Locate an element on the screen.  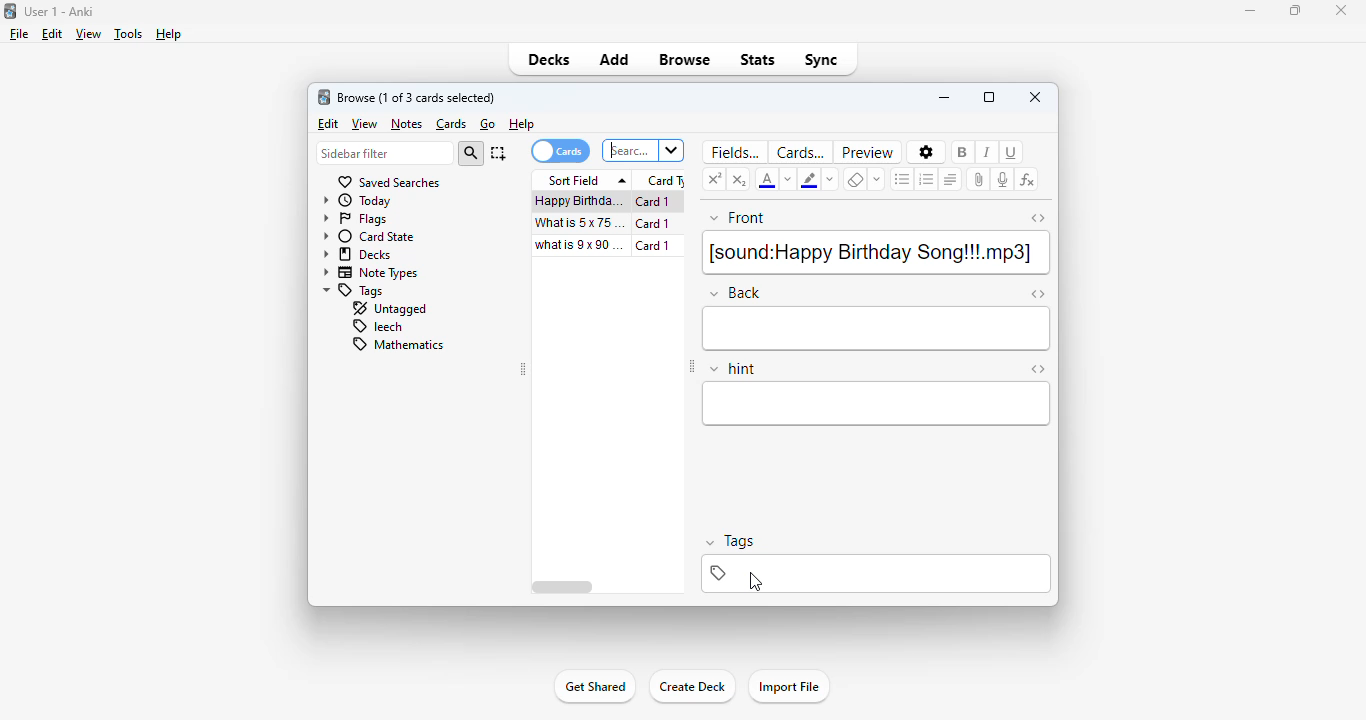
card 1 is located at coordinates (658, 246).